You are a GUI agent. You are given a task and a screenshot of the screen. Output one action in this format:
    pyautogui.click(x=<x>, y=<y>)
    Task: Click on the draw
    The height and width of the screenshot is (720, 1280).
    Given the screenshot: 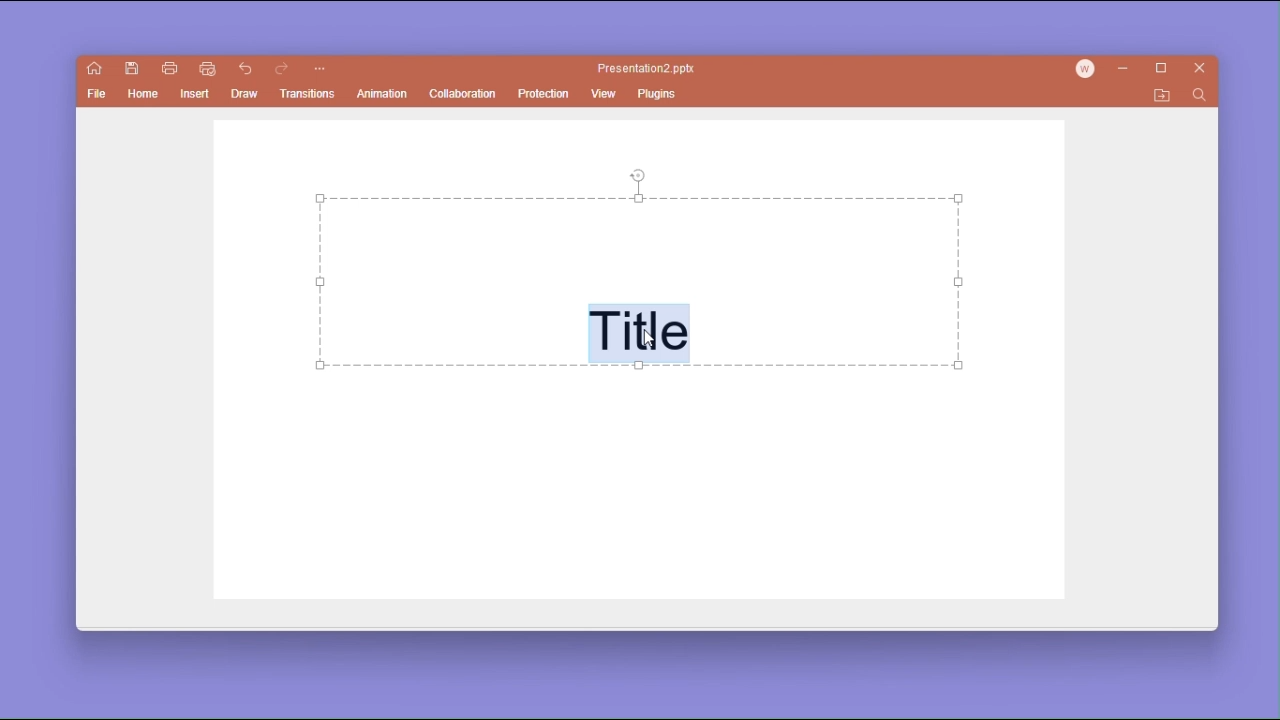 What is the action you would take?
    pyautogui.click(x=246, y=94)
    